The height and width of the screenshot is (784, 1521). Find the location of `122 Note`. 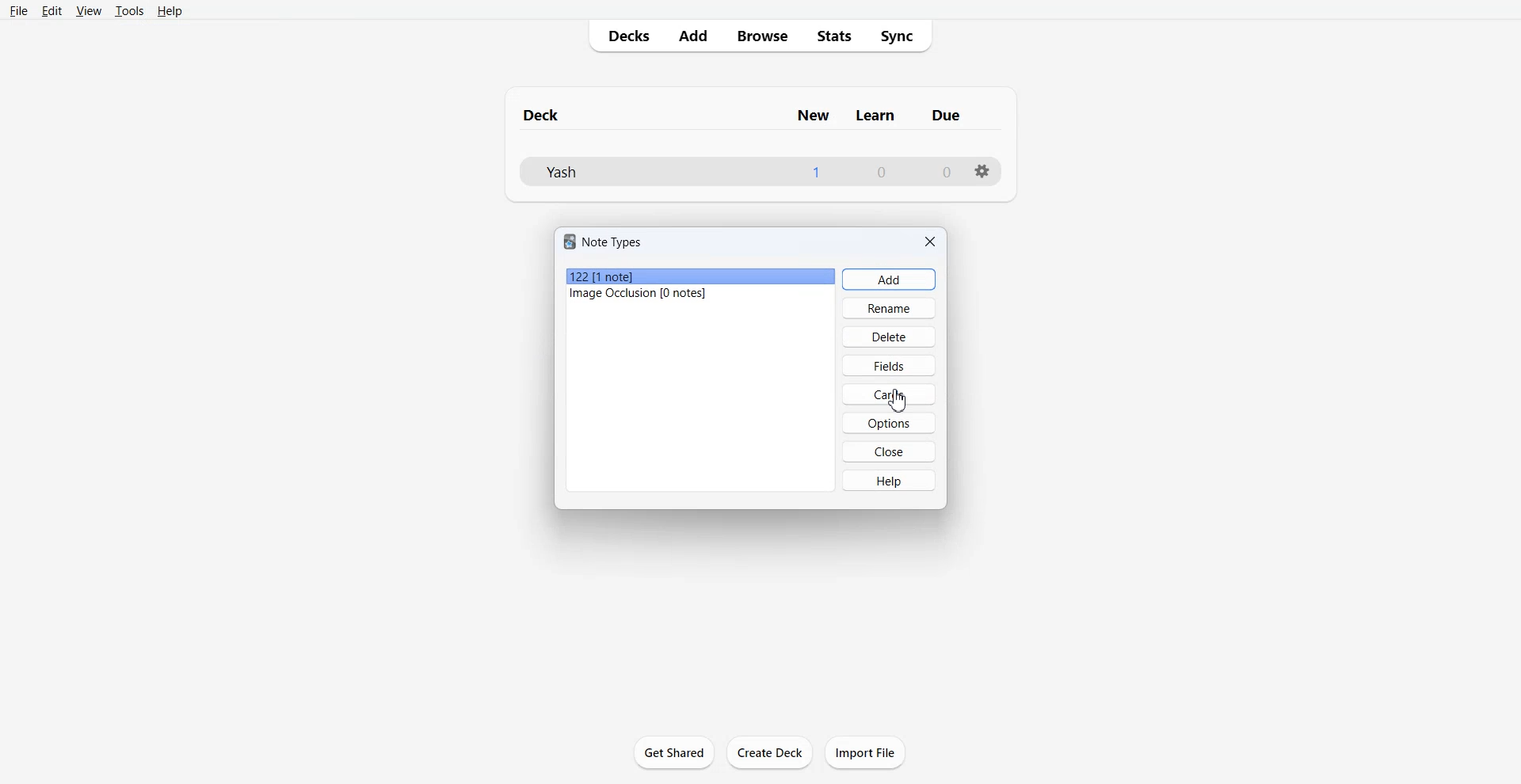

122 Note is located at coordinates (700, 277).